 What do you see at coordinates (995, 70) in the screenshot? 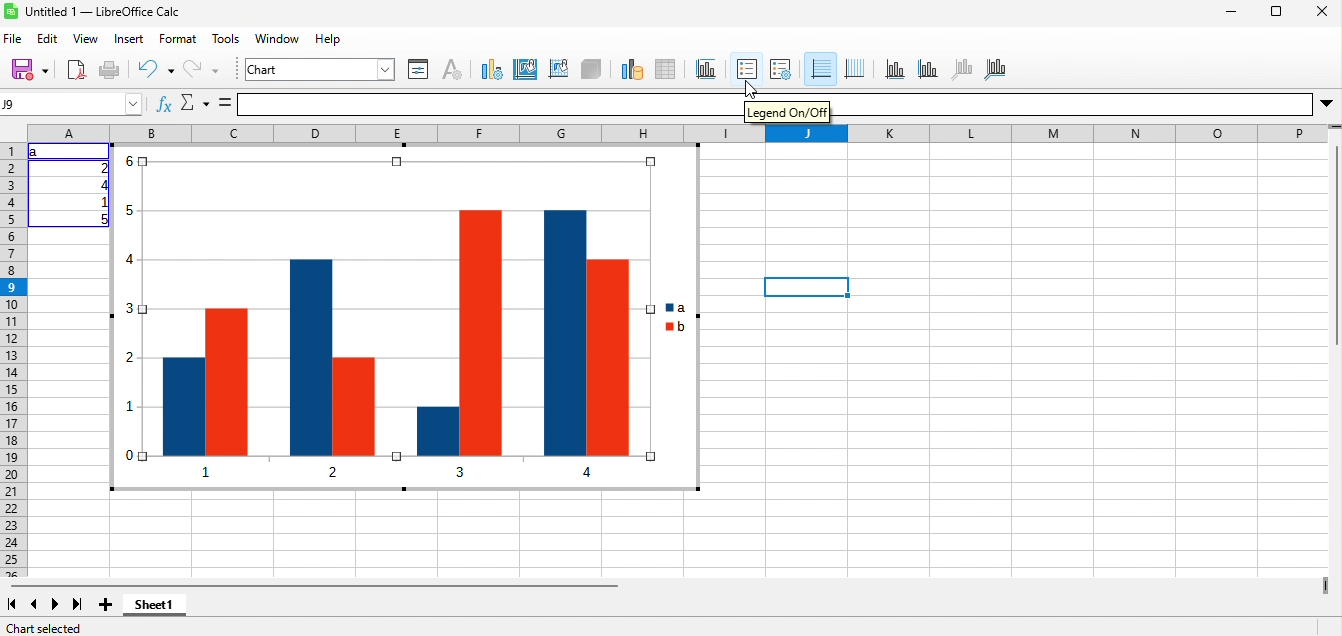
I see `all axes` at bounding box center [995, 70].